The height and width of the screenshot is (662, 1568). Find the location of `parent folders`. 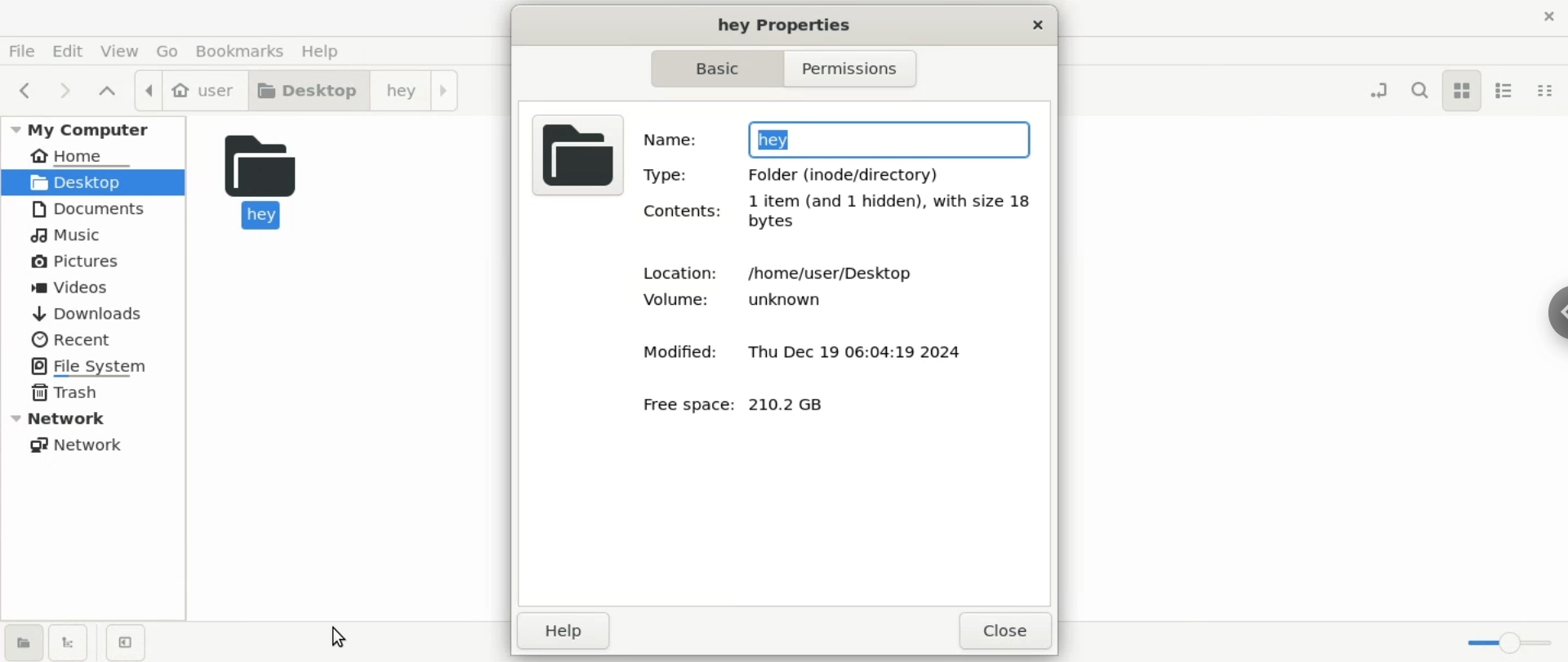

parent folders is located at coordinates (110, 93).